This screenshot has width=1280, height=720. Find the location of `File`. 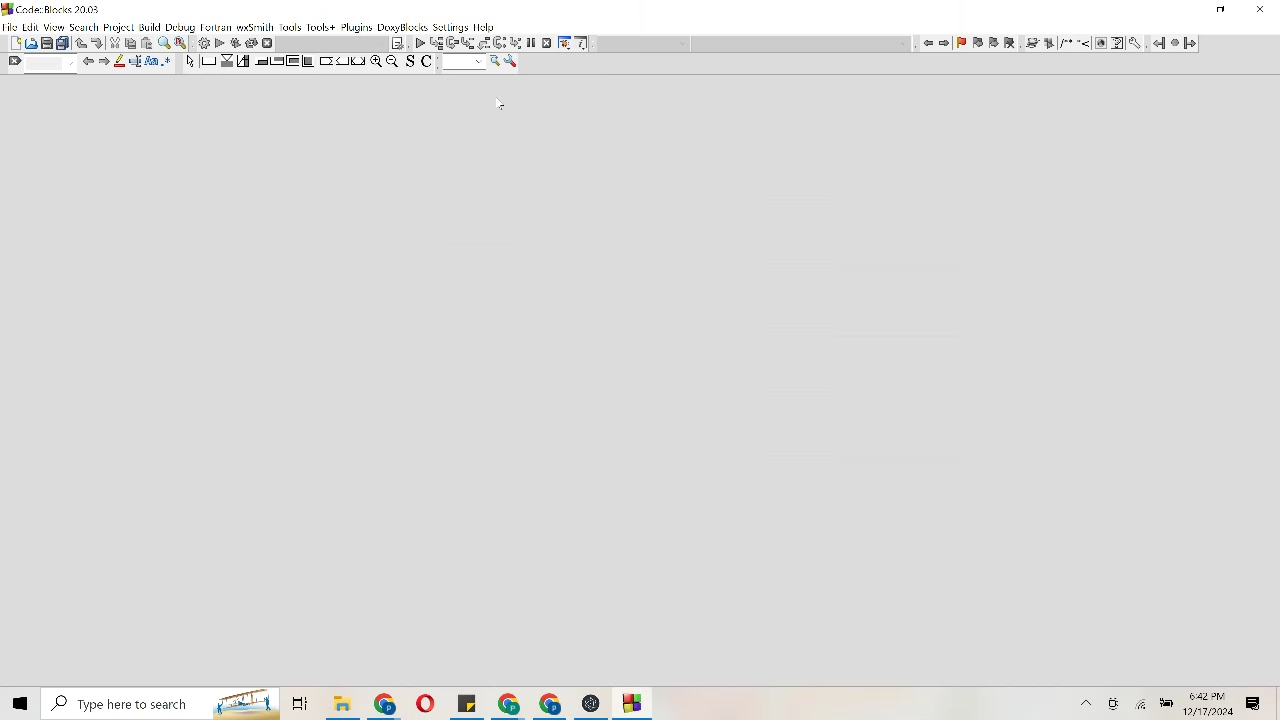

File is located at coordinates (386, 703).